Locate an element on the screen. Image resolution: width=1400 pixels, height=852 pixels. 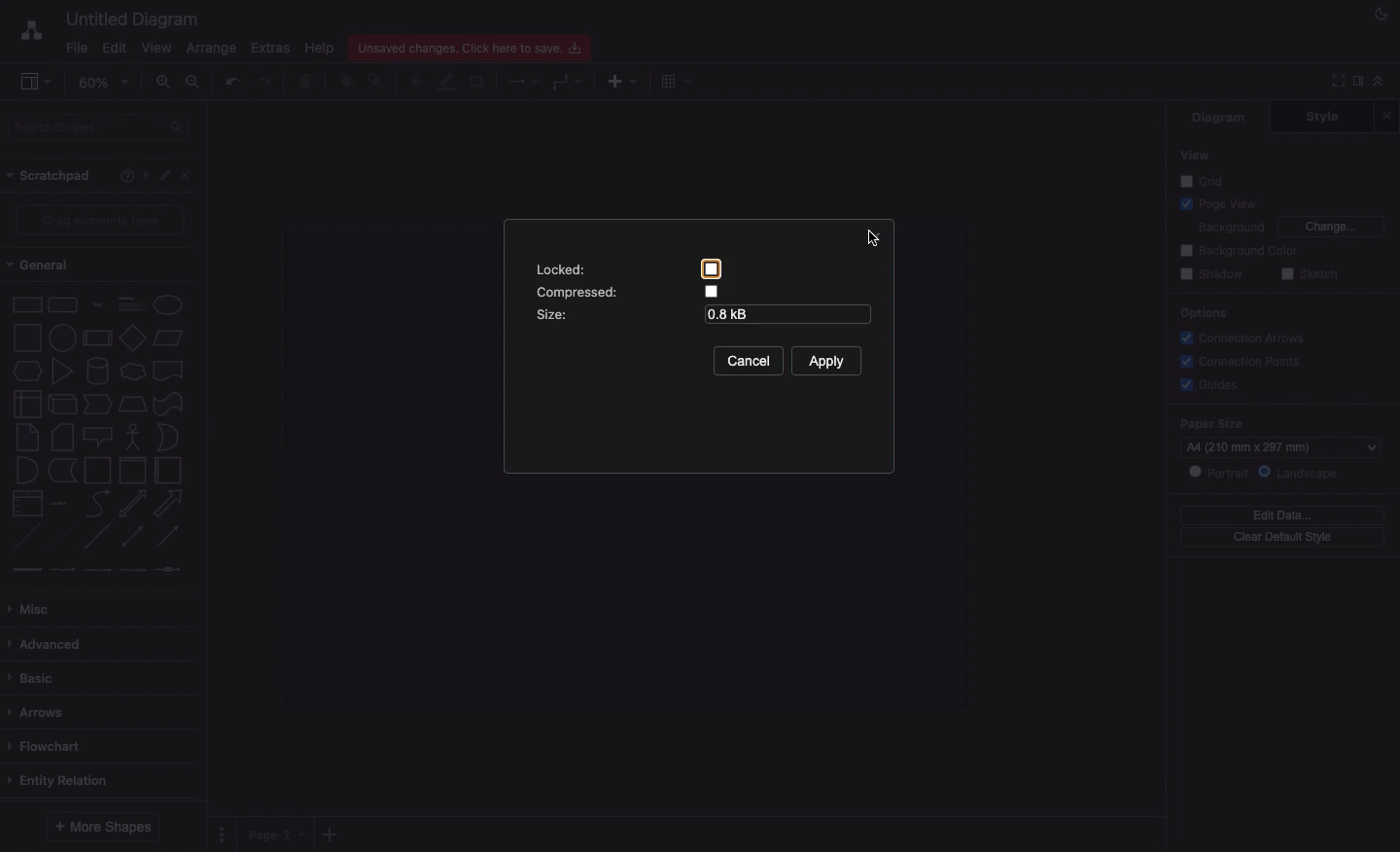
Background color is located at coordinates (1241, 251).